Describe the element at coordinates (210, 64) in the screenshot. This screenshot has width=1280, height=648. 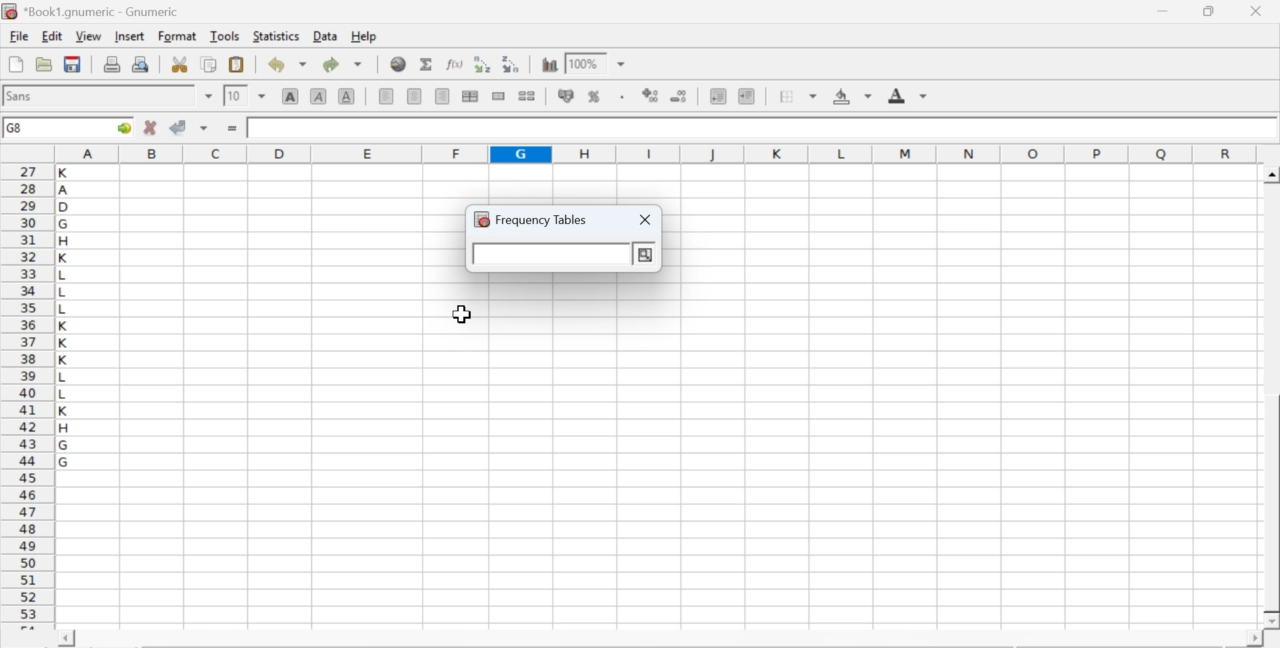
I see `copy` at that location.